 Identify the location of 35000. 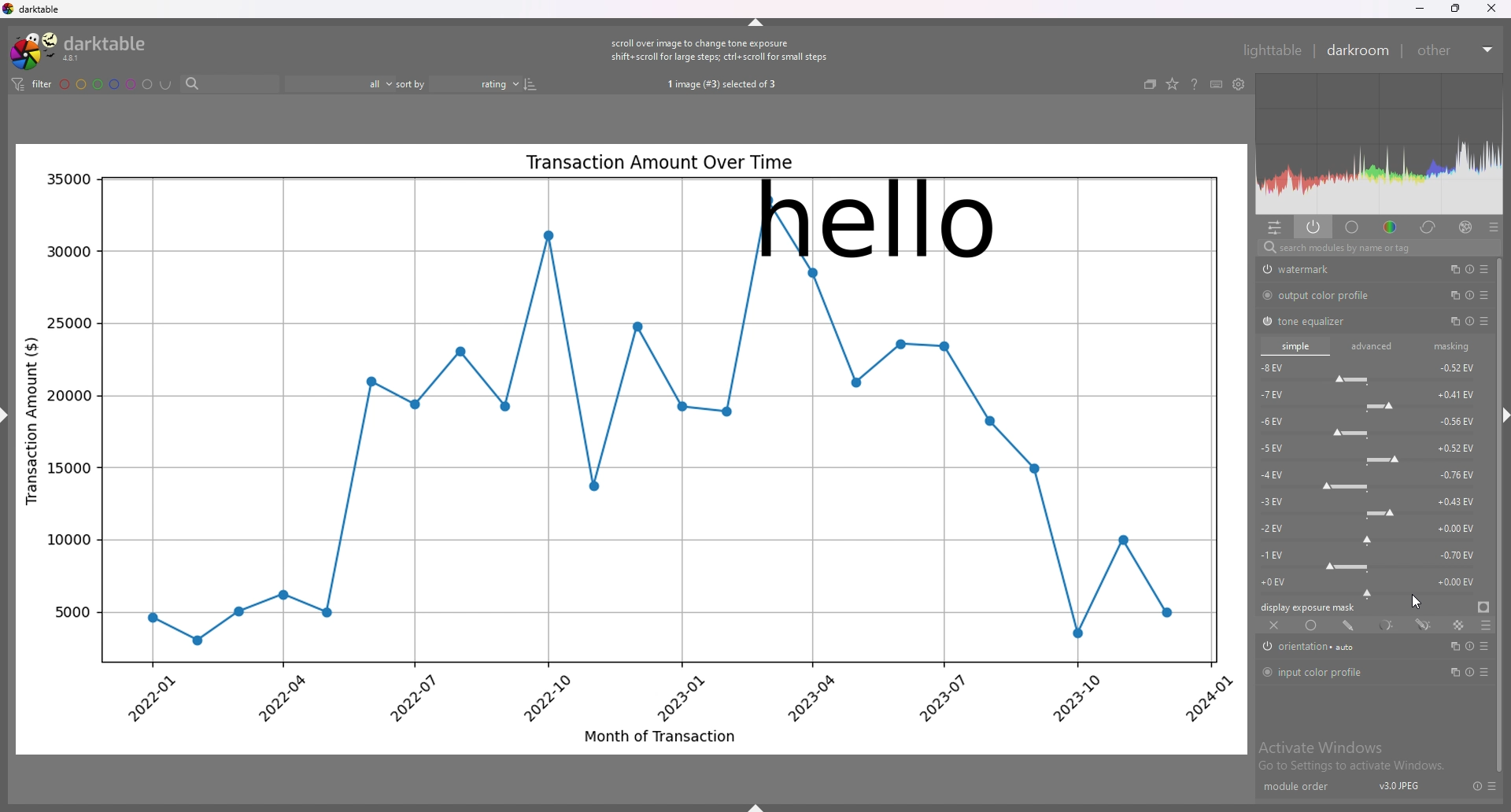
(68, 179).